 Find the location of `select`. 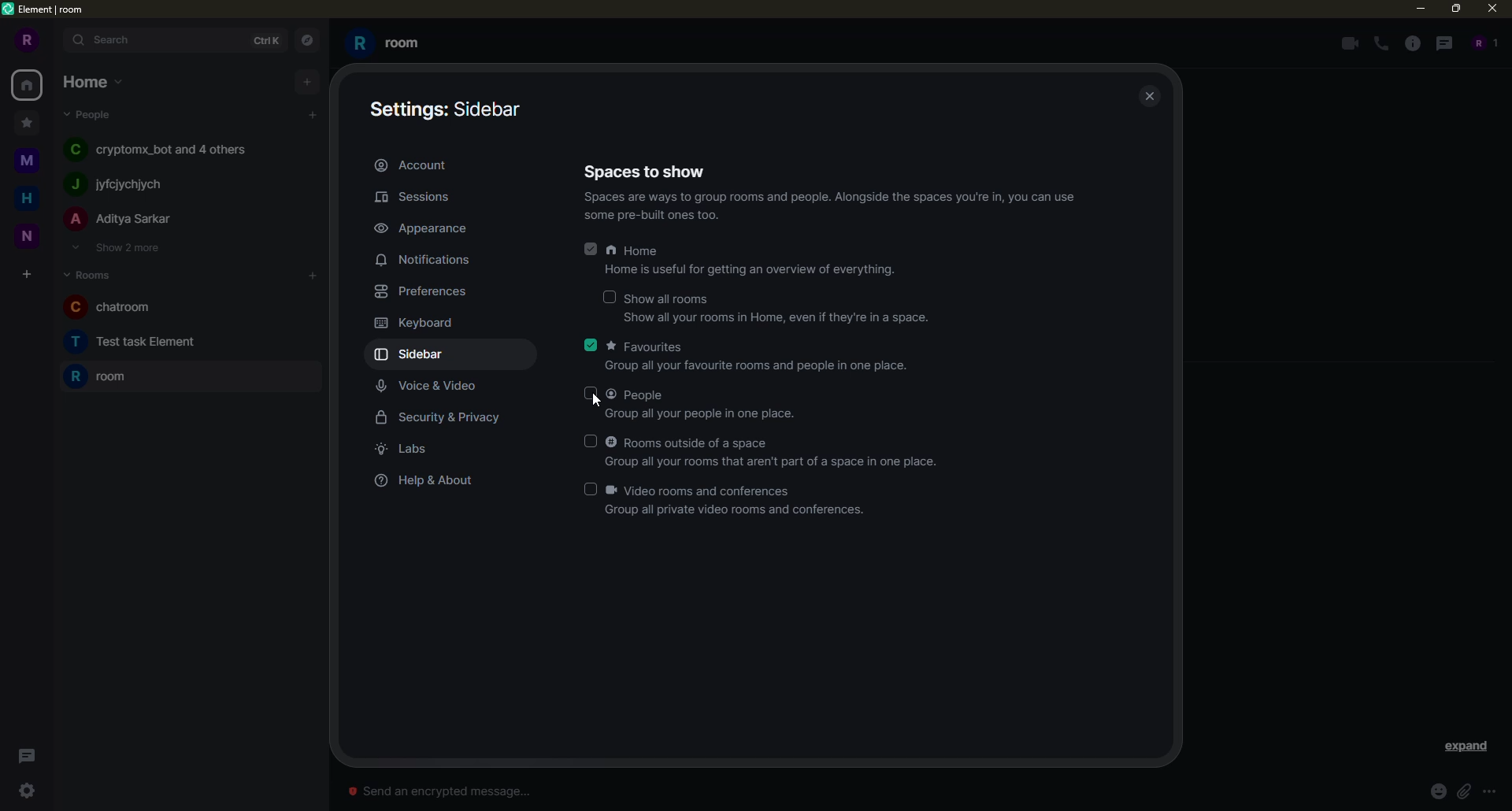

select is located at coordinates (591, 394).